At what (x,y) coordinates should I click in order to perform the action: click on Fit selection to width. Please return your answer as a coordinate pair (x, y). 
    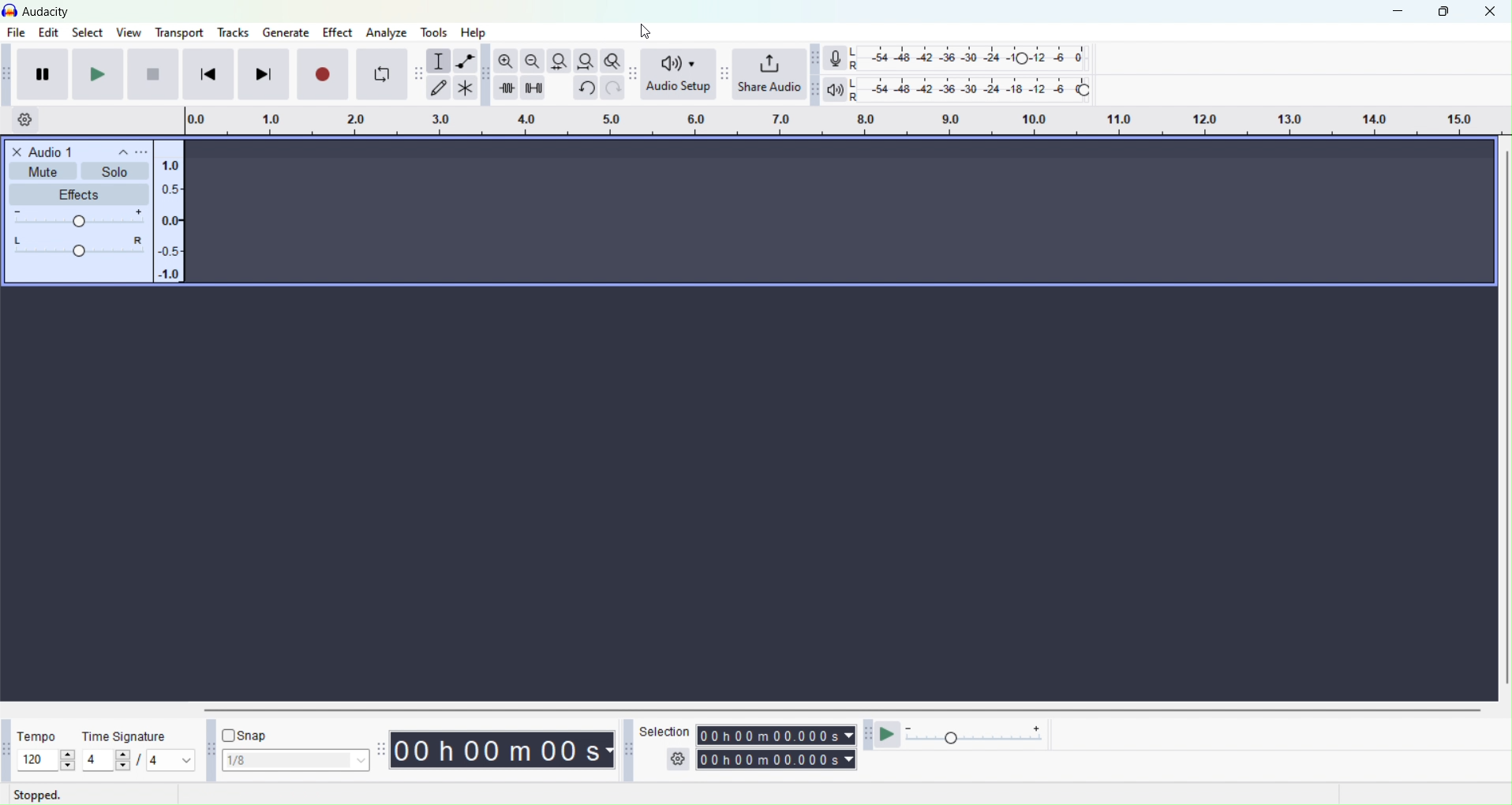
    Looking at the image, I should click on (561, 61).